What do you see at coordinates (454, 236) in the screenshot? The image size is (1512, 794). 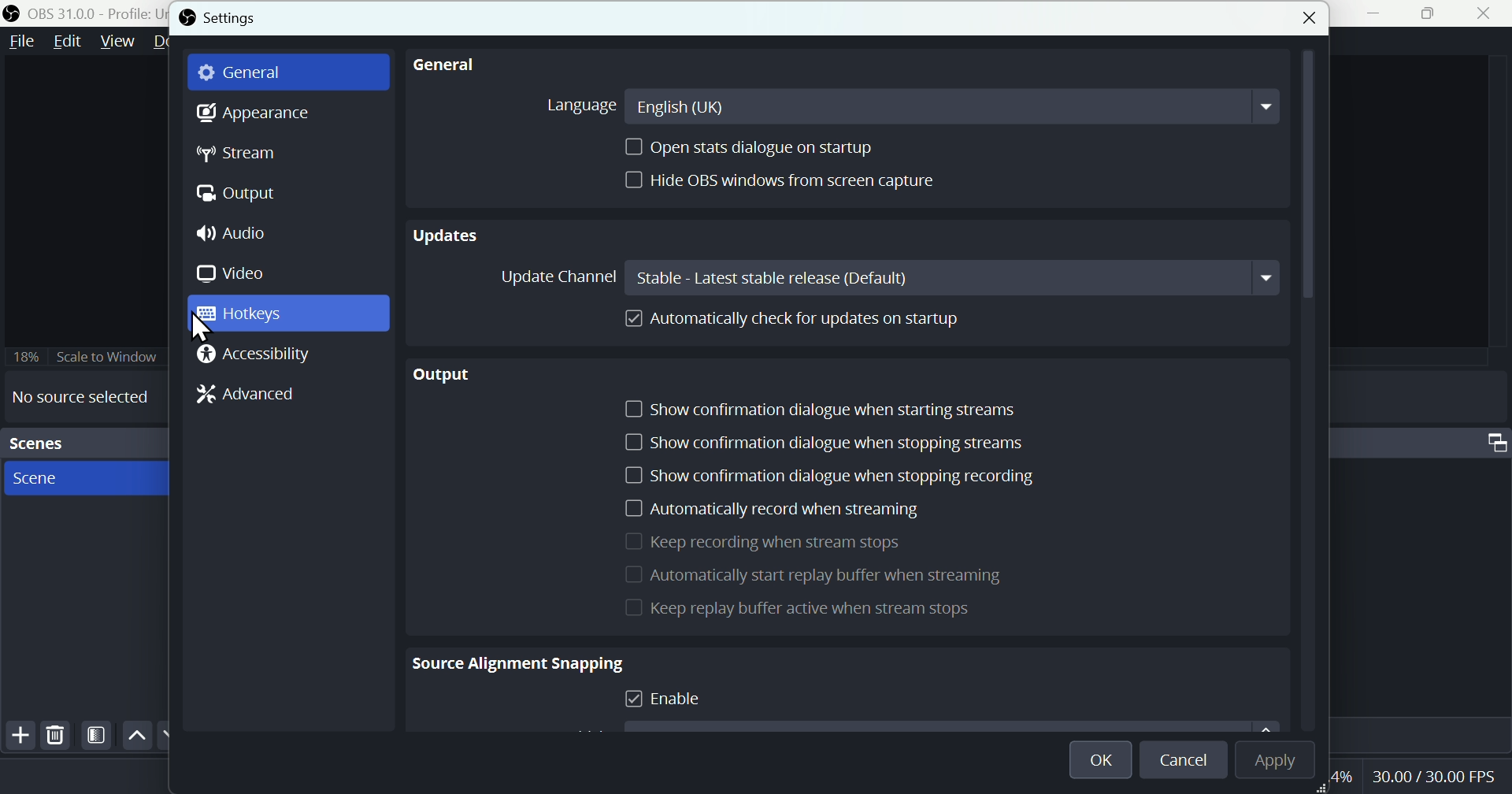 I see `Updates` at bounding box center [454, 236].